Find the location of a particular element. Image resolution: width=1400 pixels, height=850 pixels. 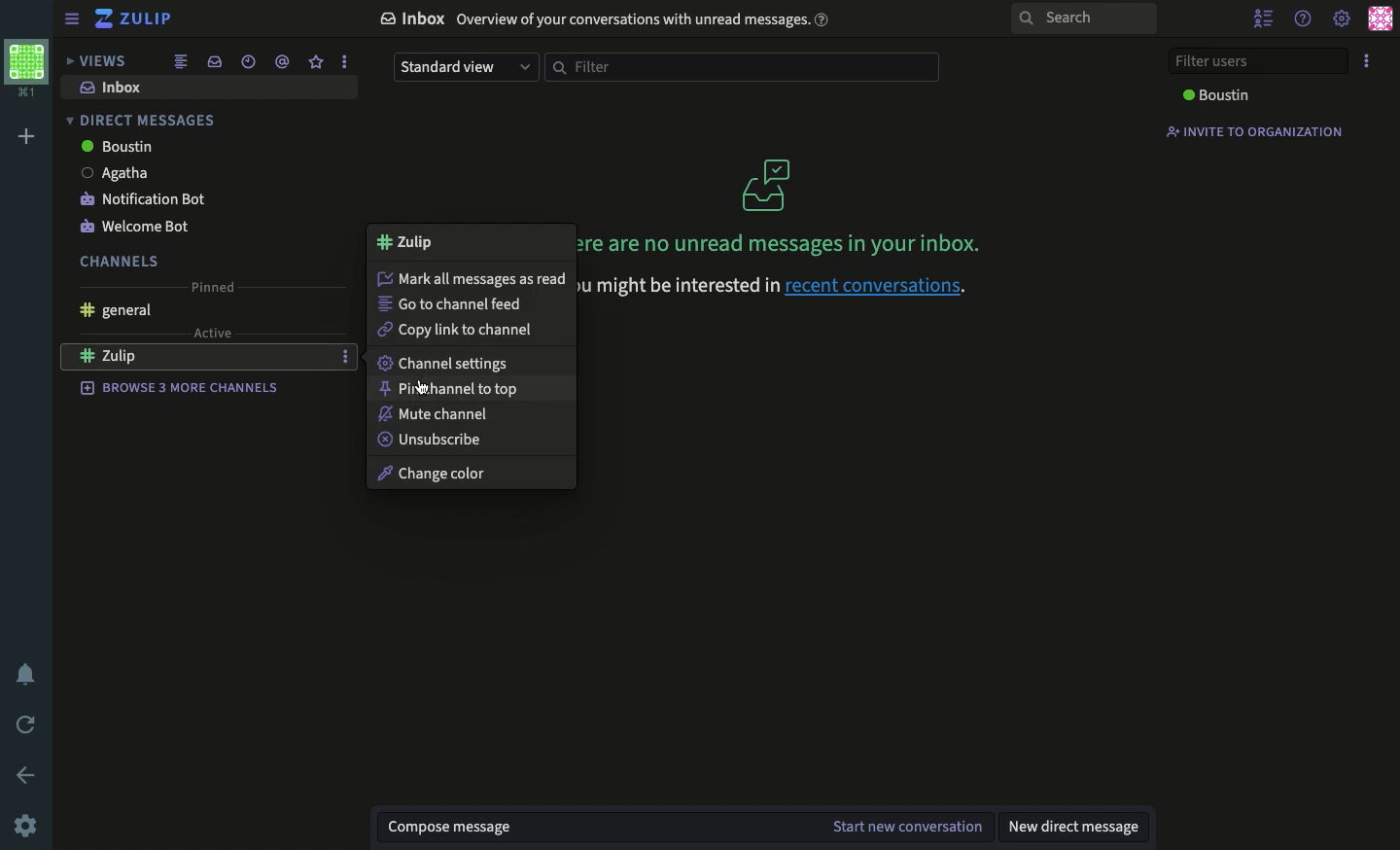

help is located at coordinates (1303, 19).